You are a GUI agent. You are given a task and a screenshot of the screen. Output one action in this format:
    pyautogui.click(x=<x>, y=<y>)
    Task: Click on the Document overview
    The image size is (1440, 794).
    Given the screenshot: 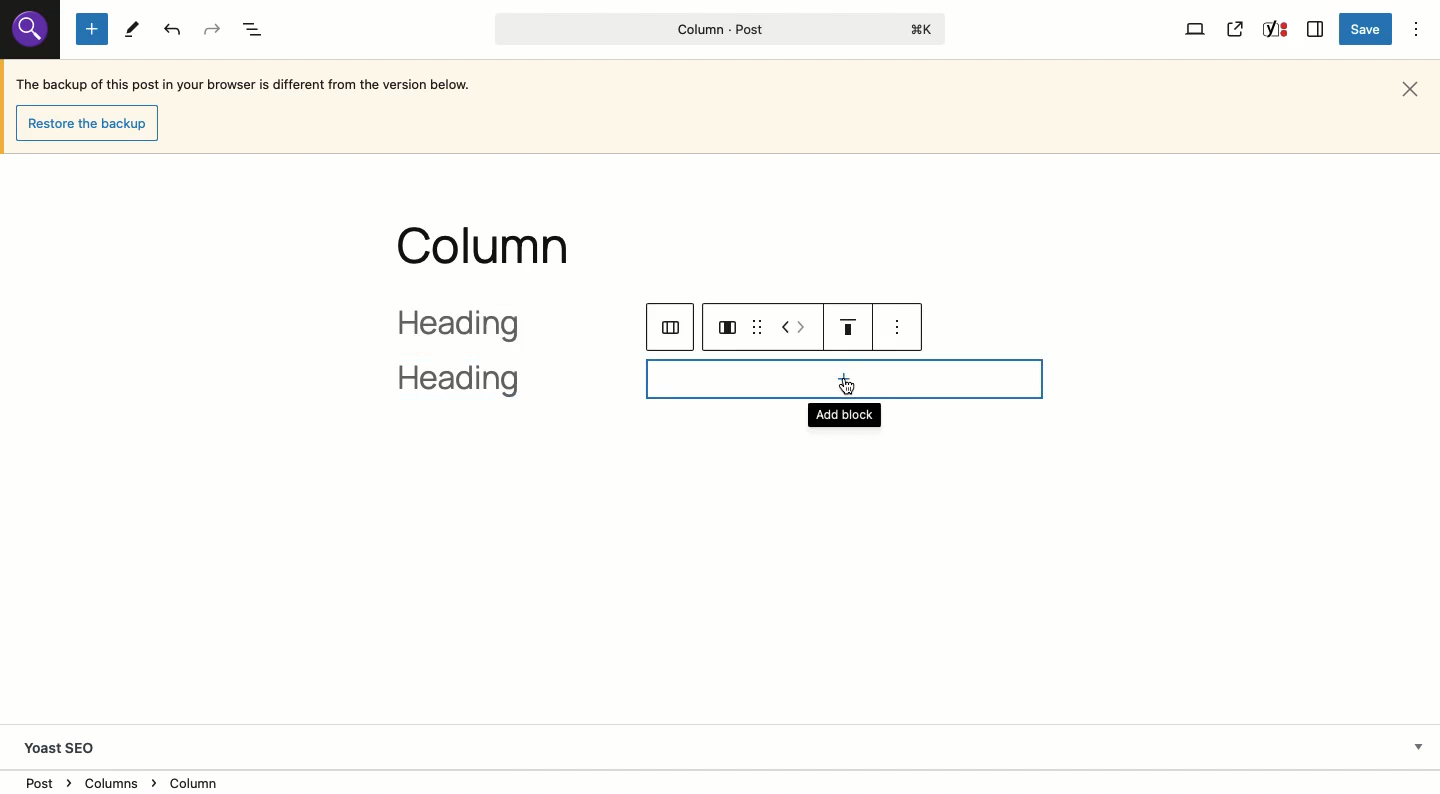 What is the action you would take?
    pyautogui.click(x=256, y=31)
    